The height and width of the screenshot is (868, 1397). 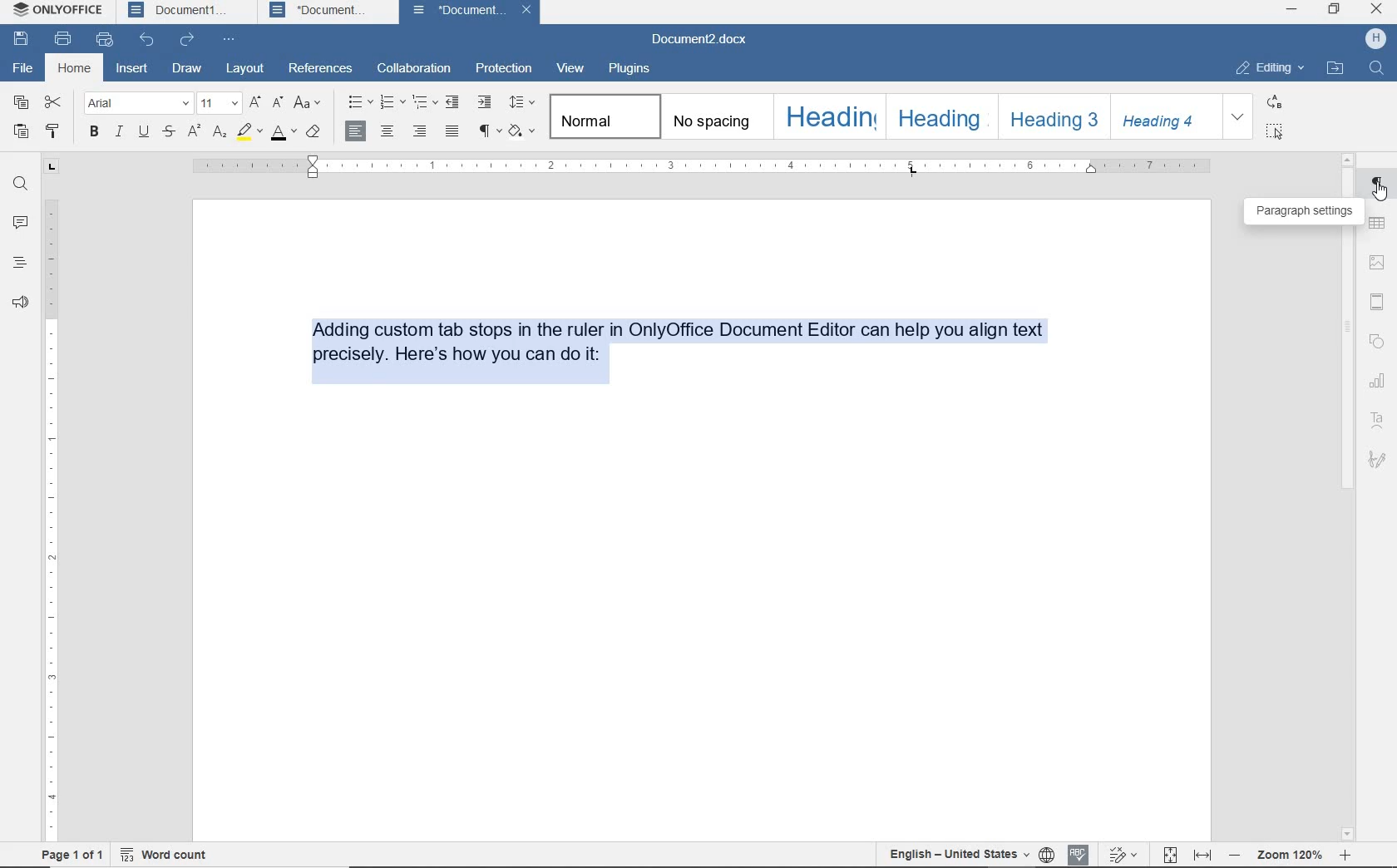 I want to click on Document tab, so click(x=322, y=11).